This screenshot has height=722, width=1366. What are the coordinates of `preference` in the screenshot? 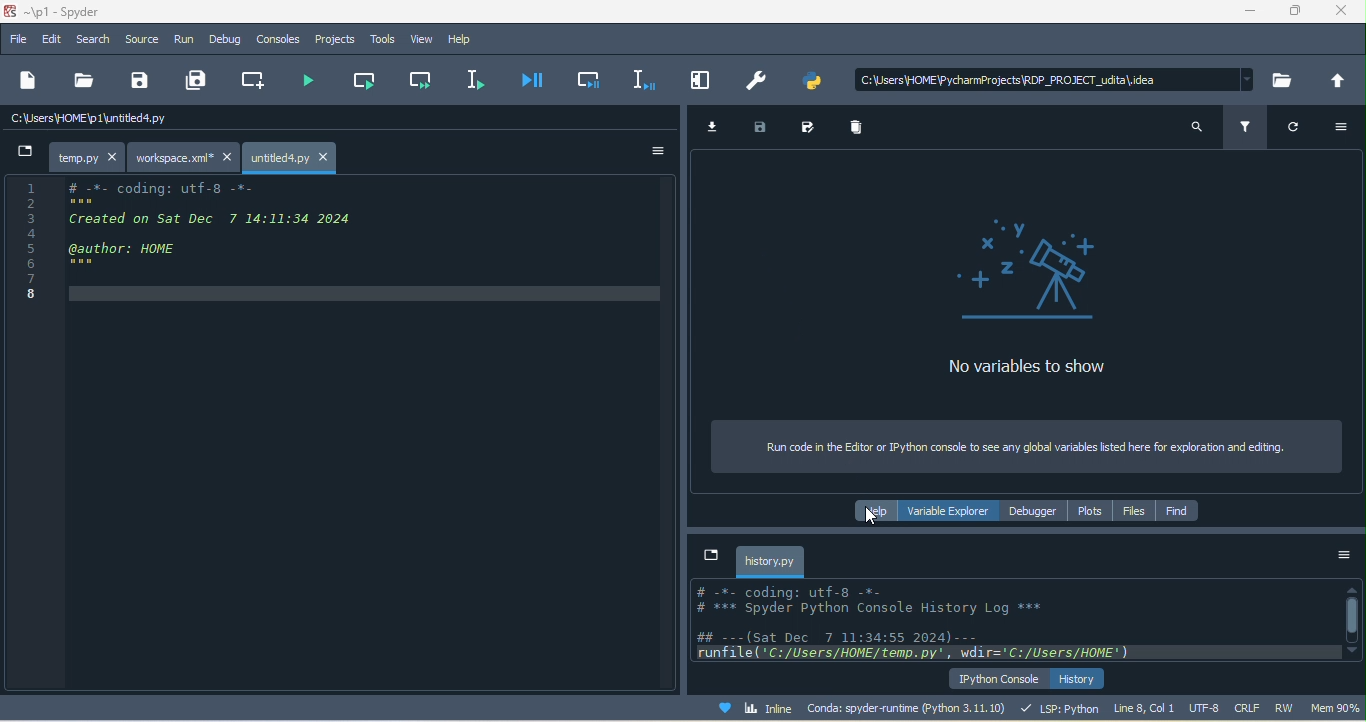 It's located at (754, 80).